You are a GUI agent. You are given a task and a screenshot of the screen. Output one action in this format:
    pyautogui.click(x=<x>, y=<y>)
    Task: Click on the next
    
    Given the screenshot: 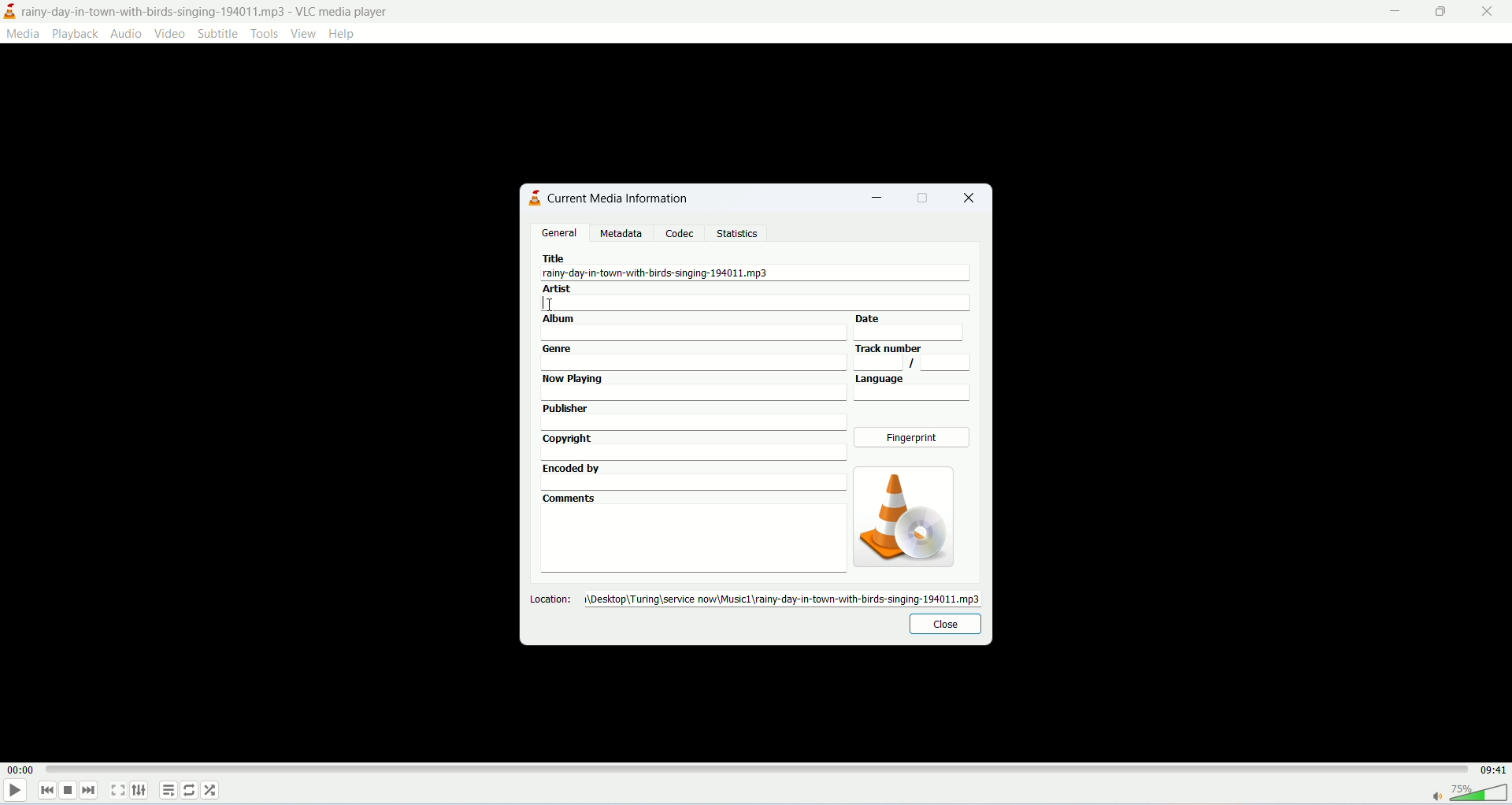 What is the action you would take?
    pyautogui.click(x=92, y=792)
    